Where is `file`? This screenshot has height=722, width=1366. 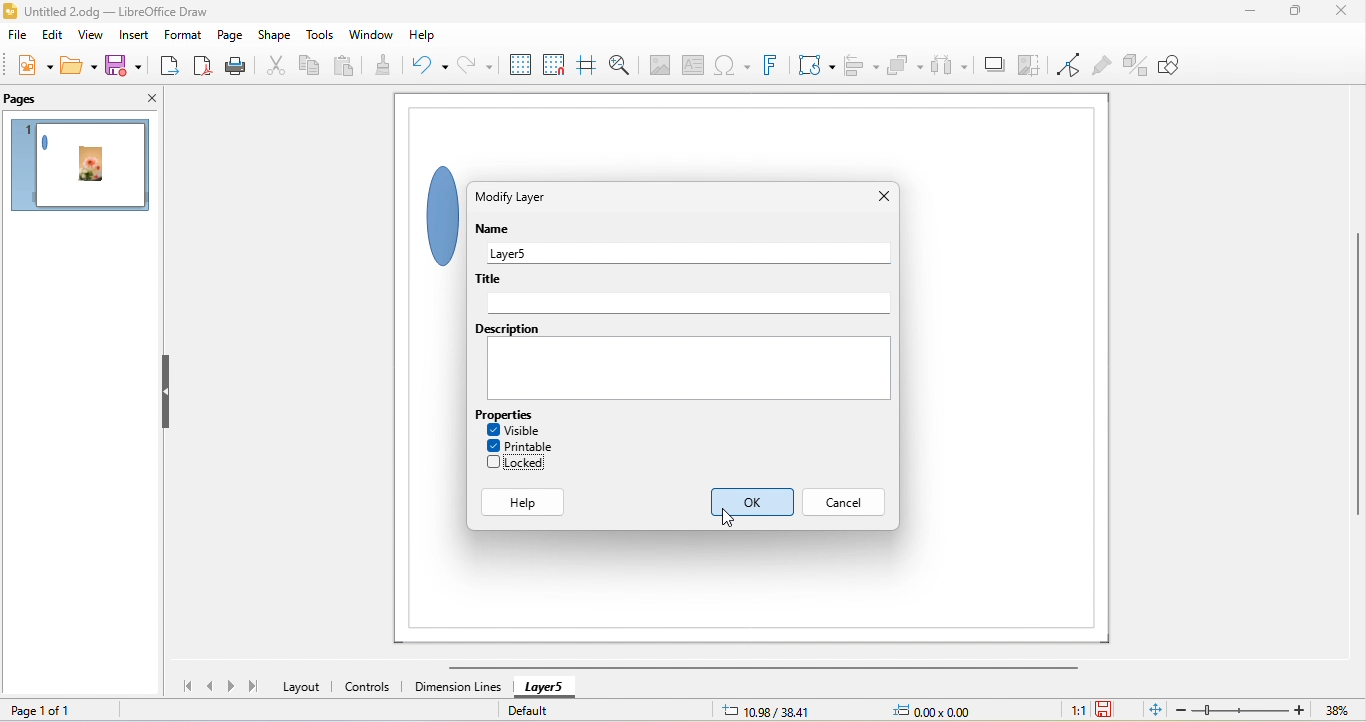
file is located at coordinates (18, 38).